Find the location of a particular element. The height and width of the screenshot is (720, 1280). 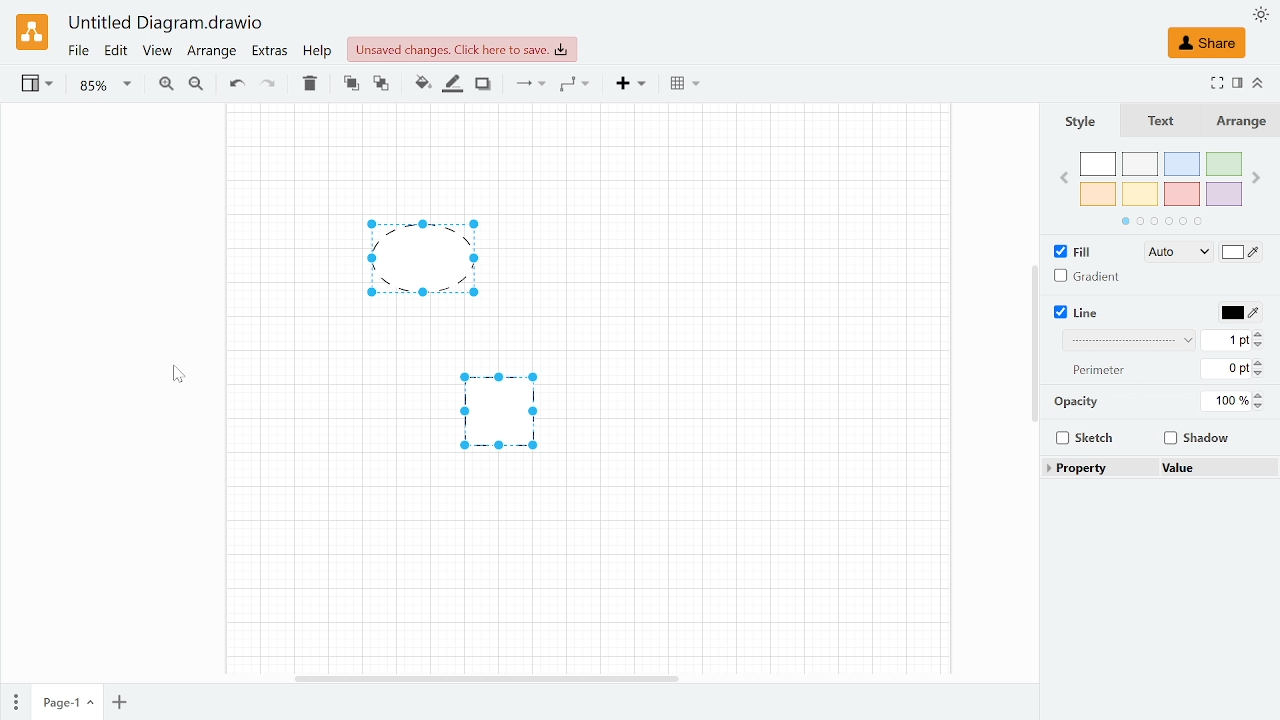

Current page is located at coordinates (66, 703).